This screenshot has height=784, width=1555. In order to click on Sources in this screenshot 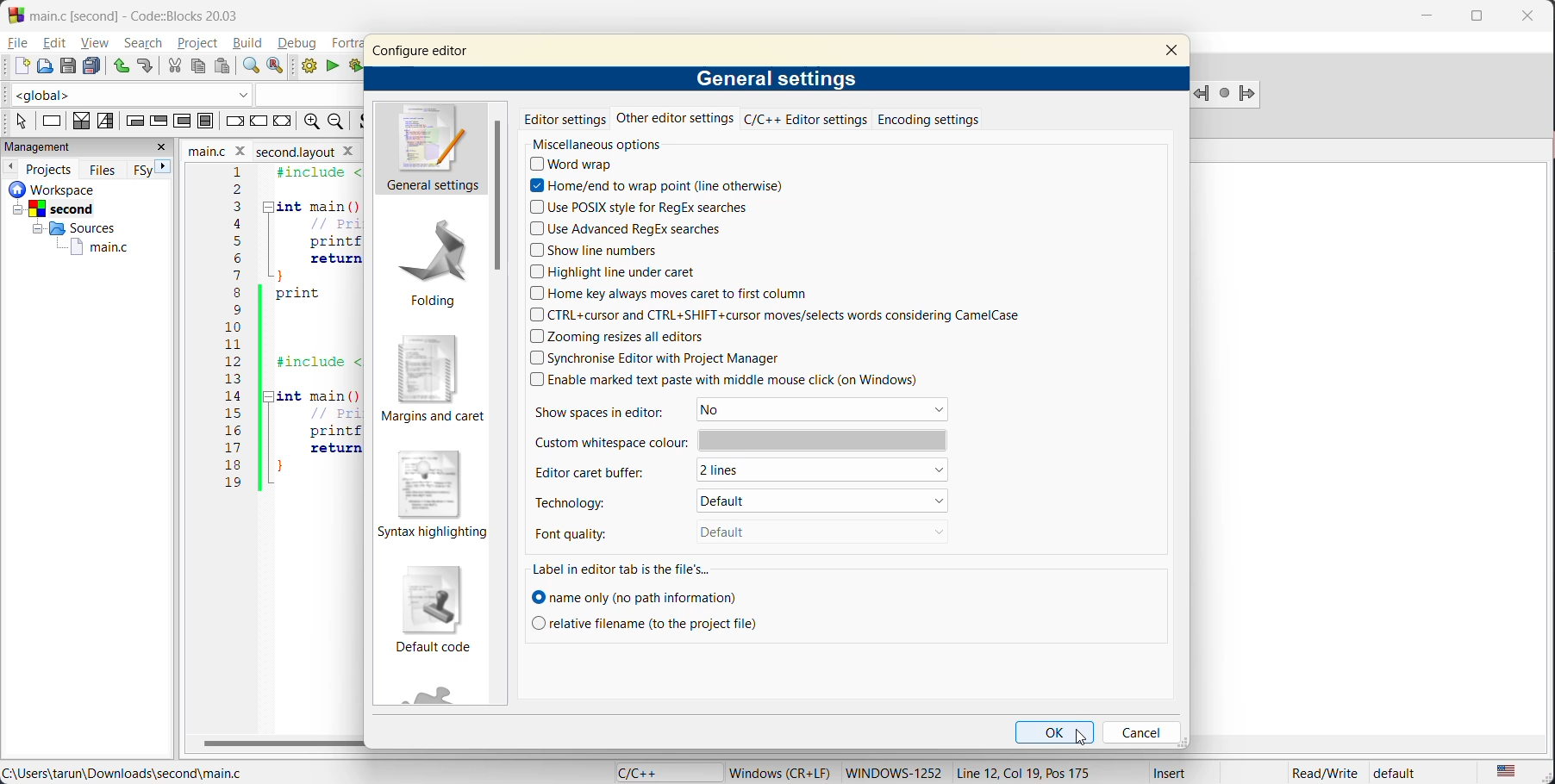, I will do `click(75, 228)`.